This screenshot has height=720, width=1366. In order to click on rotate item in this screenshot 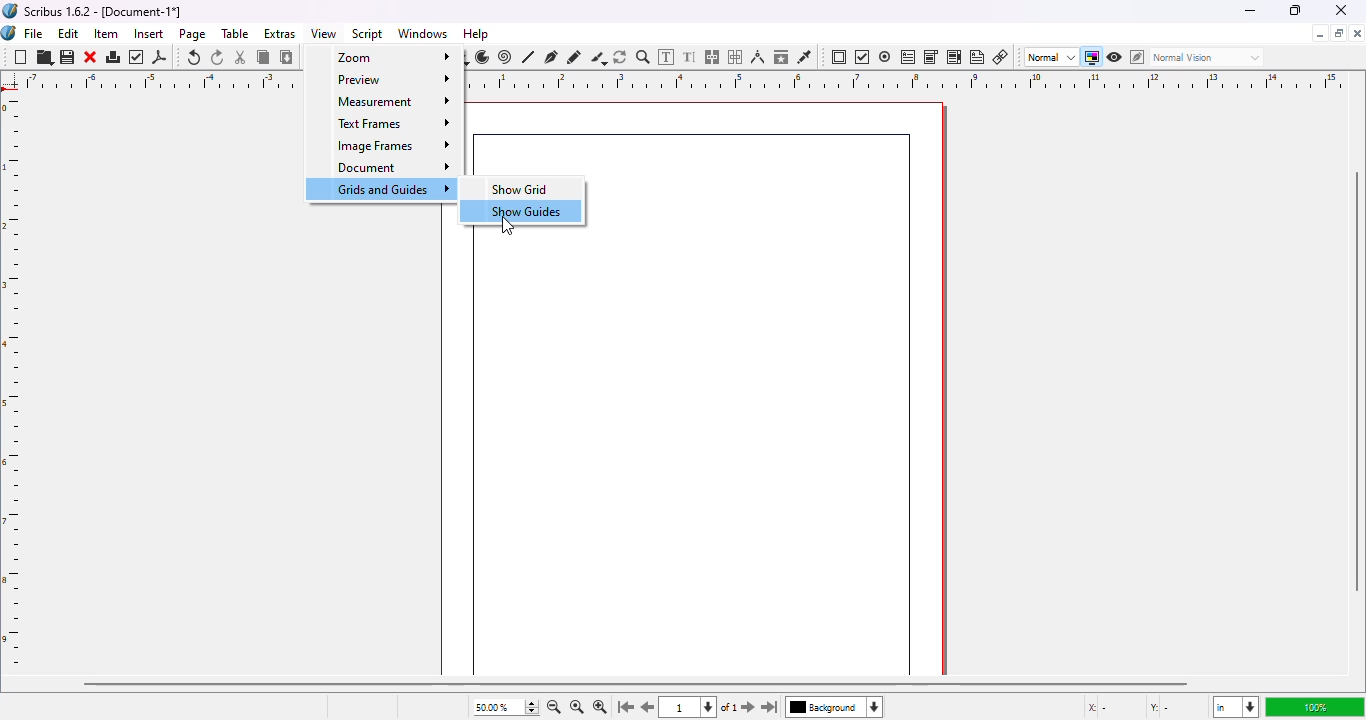, I will do `click(621, 57)`.